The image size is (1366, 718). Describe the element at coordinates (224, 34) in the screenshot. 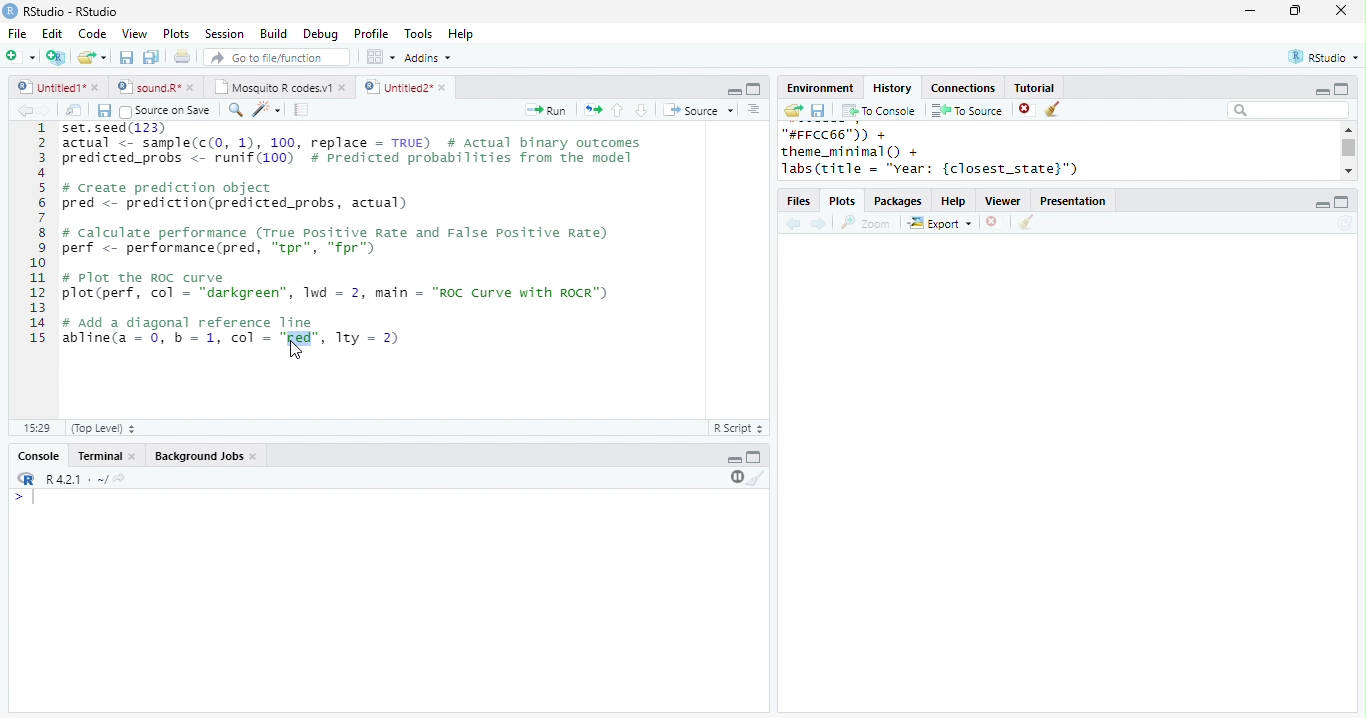

I see `Session` at that location.